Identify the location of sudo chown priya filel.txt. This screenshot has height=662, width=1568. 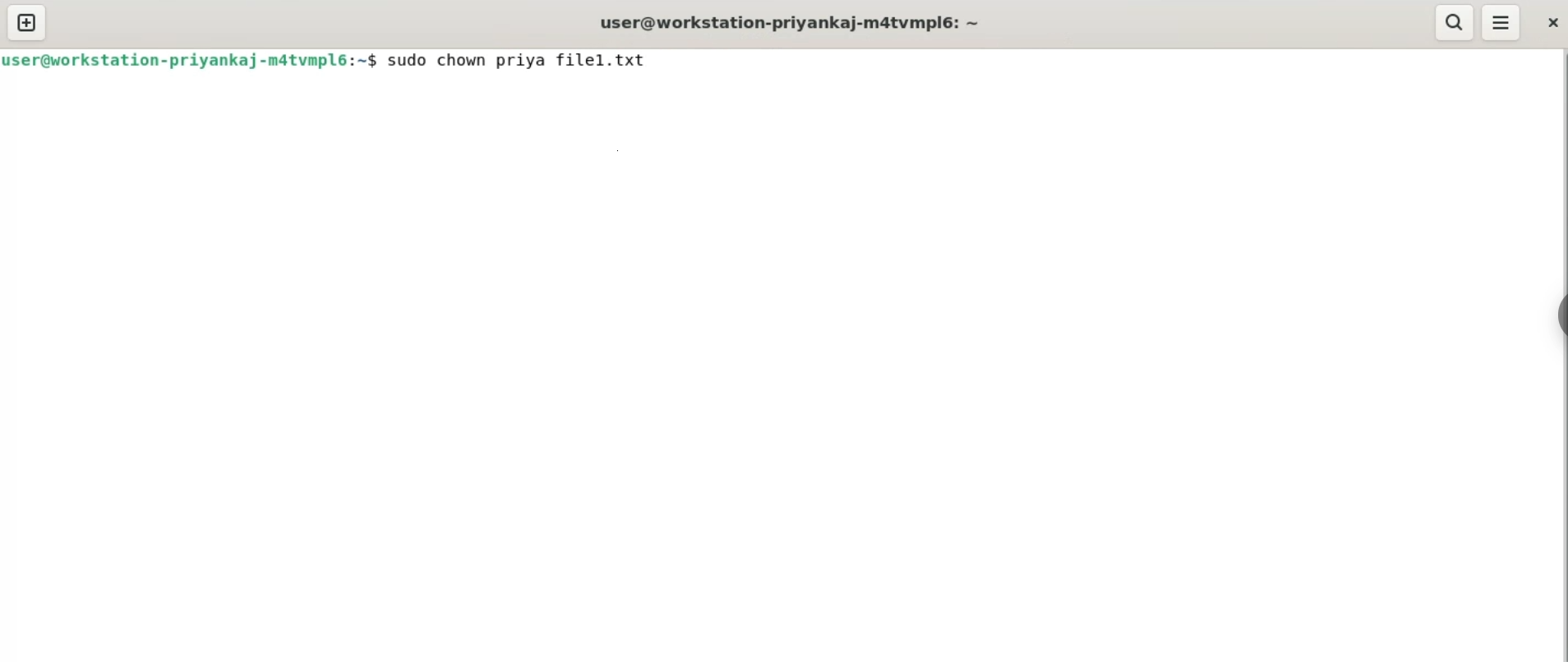
(519, 60).